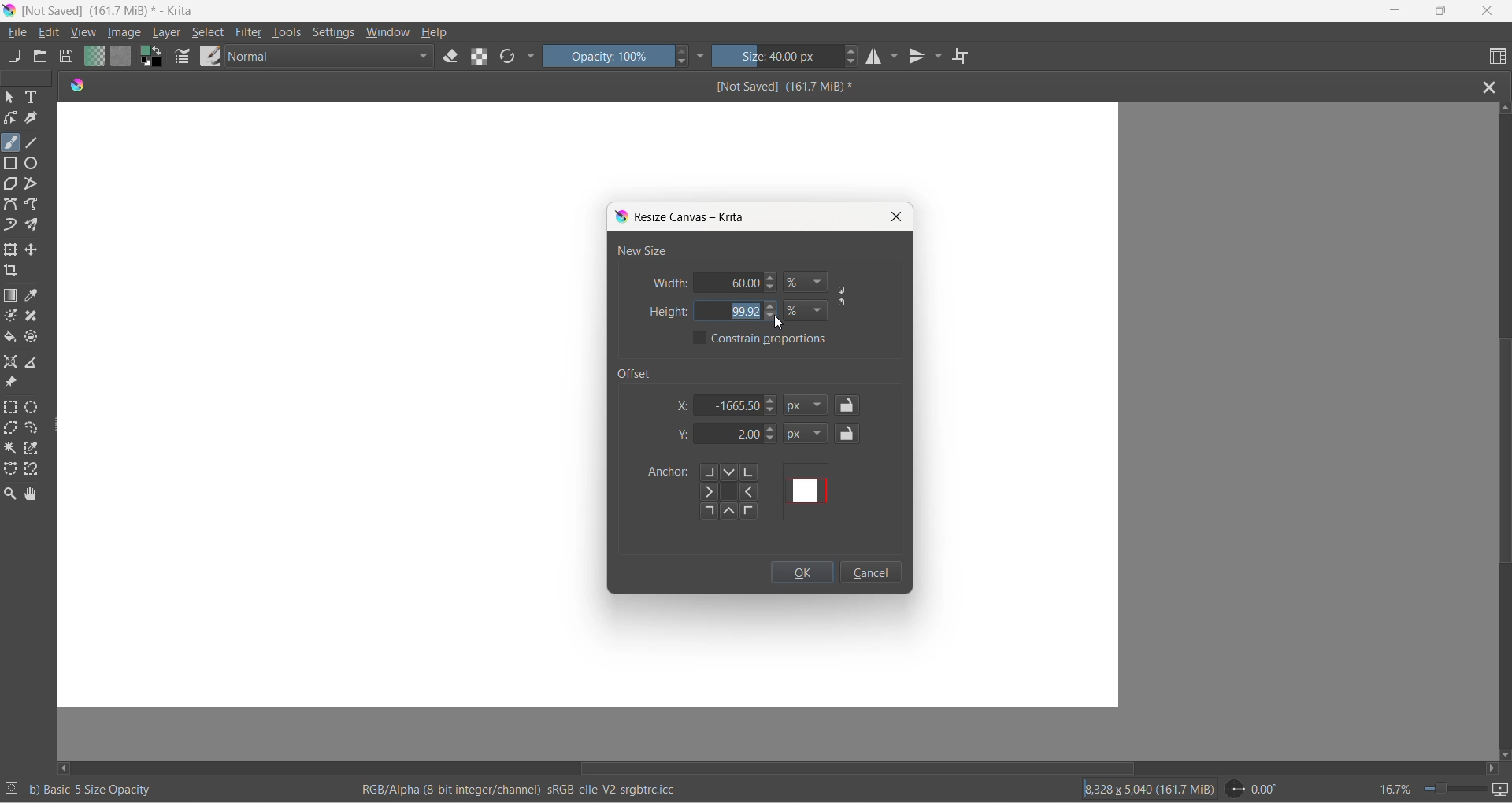 Image resolution: width=1512 pixels, height=803 pixels. Describe the element at coordinates (807, 307) in the screenshot. I see `height value type` at that location.